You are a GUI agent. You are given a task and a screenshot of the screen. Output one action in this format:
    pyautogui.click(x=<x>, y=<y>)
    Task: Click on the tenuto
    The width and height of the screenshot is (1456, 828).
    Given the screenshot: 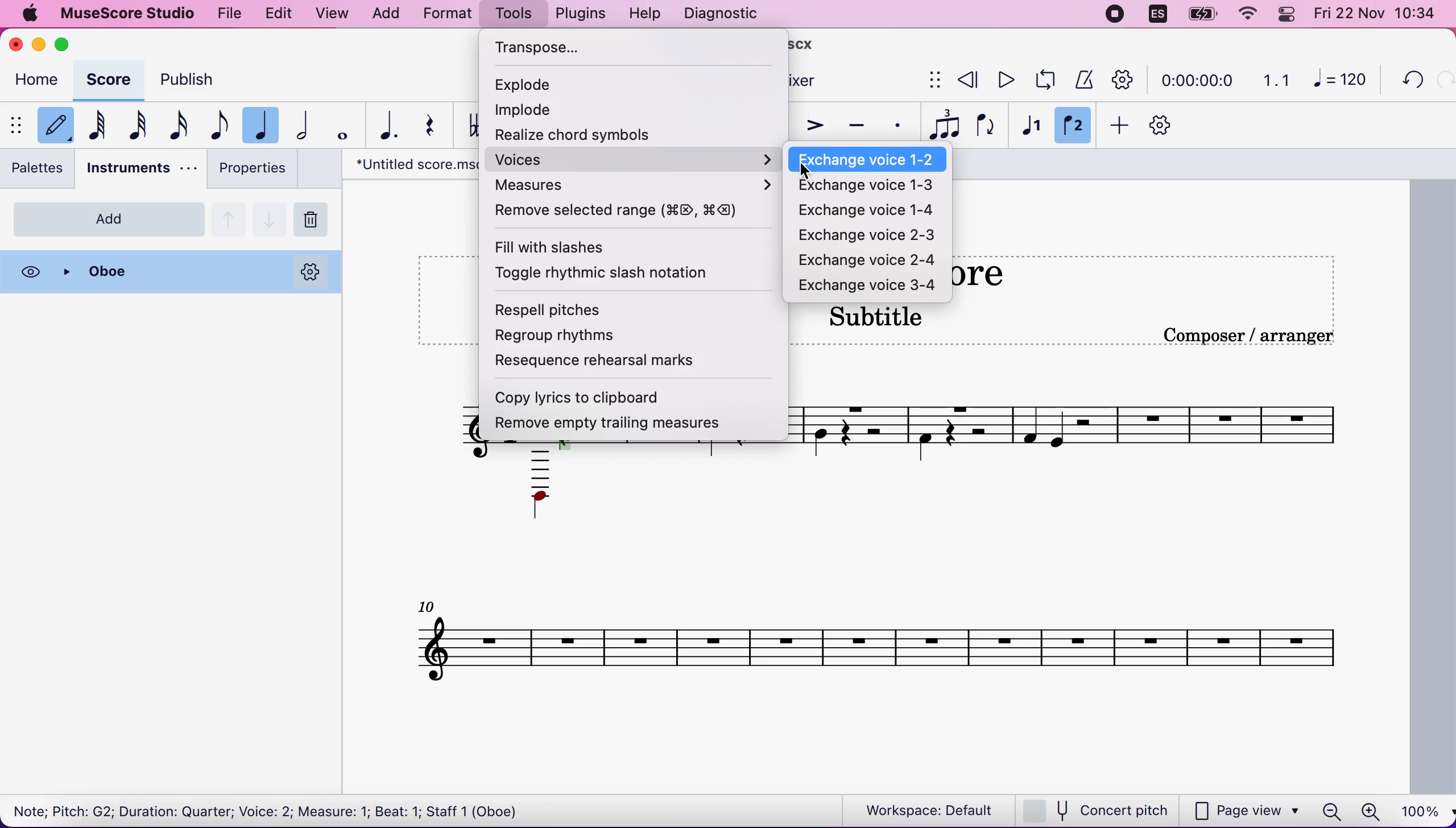 What is the action you would take?
    pyautogui.click(x=858, y=125)
    